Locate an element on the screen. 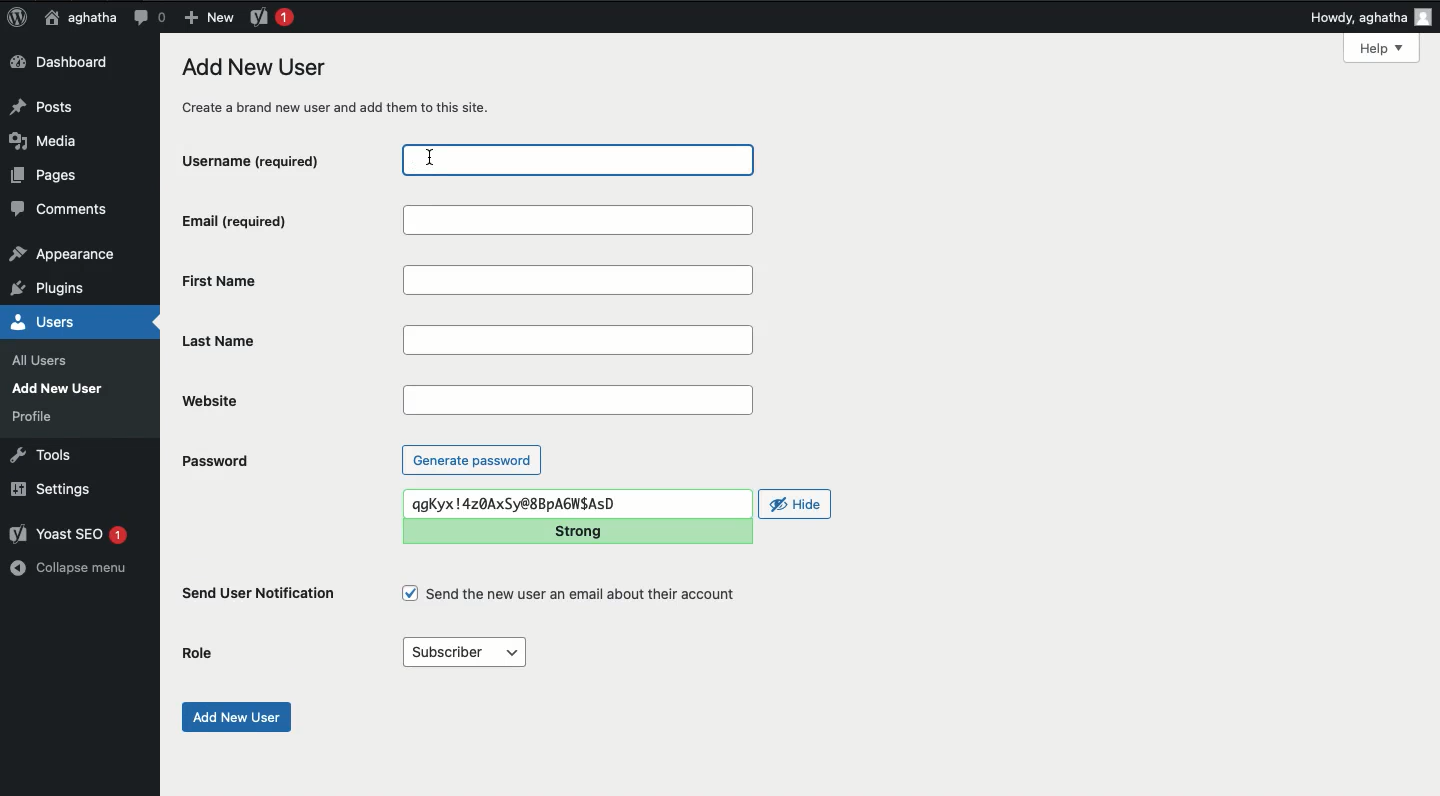 The image size is (1440, 796). plugins is located at coordinates (58, 289).